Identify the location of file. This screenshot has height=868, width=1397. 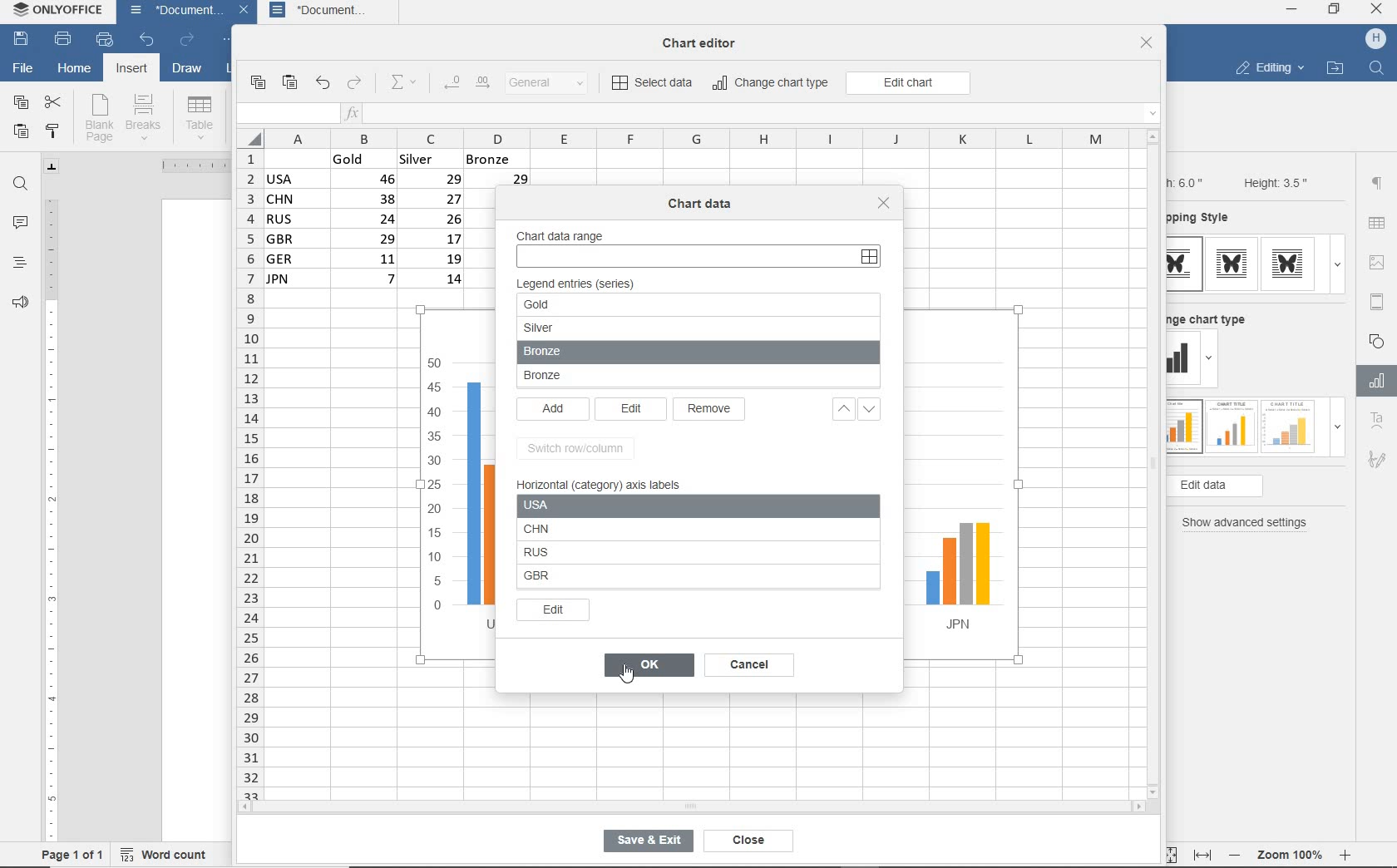
(22, 67).